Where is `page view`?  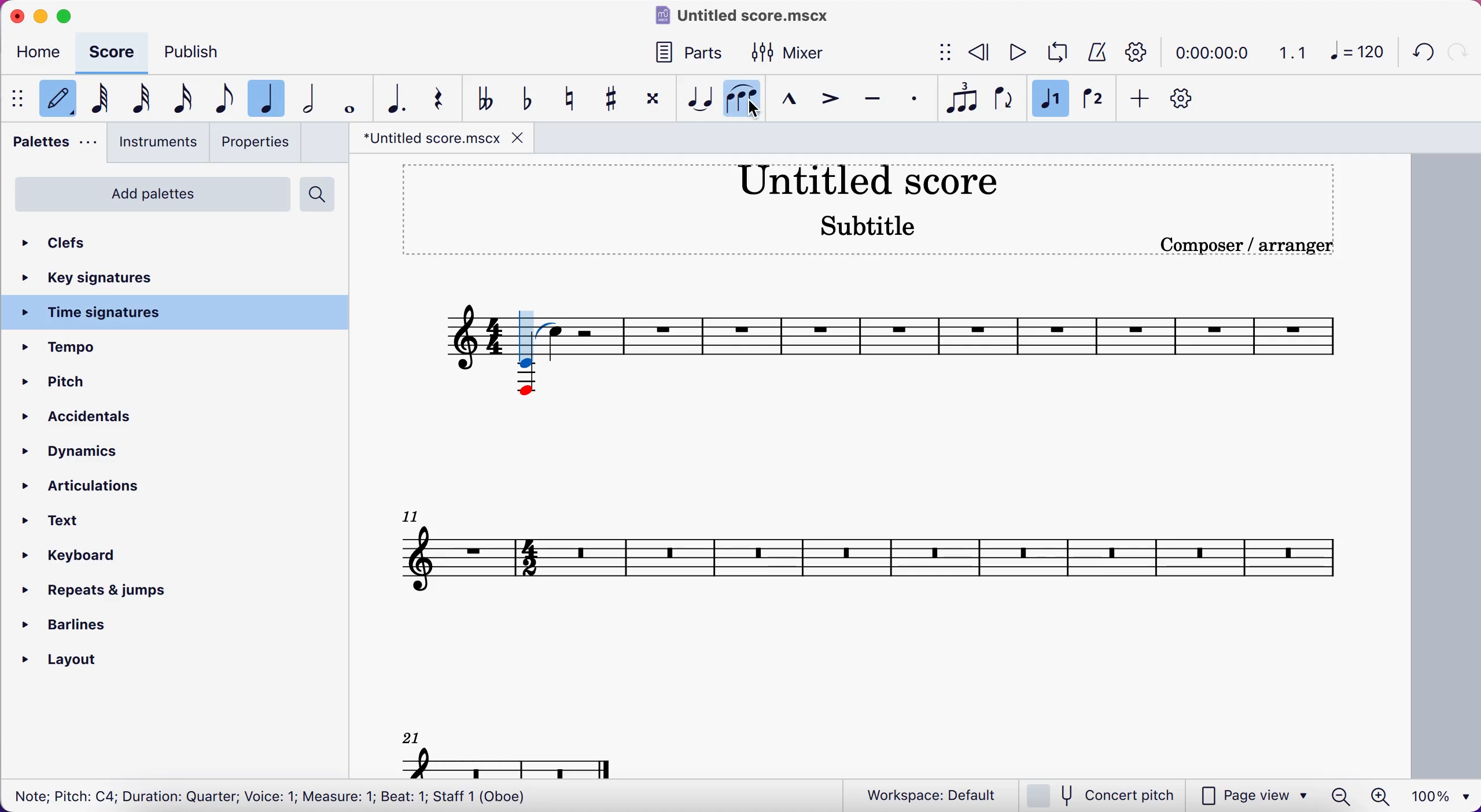
page view is located at coordinates (1252, 795).